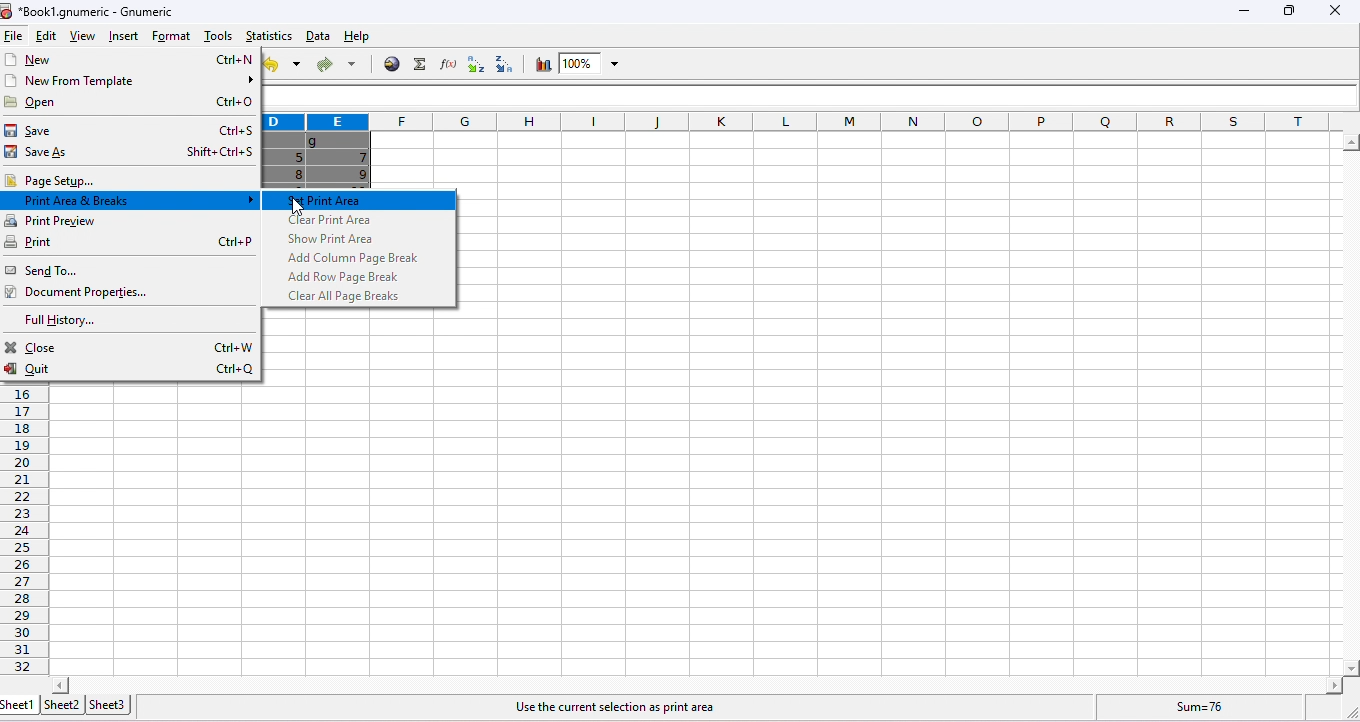  Describe the element at coordinates (1241, 14) in the screenshot. I see `minimize` at that location.